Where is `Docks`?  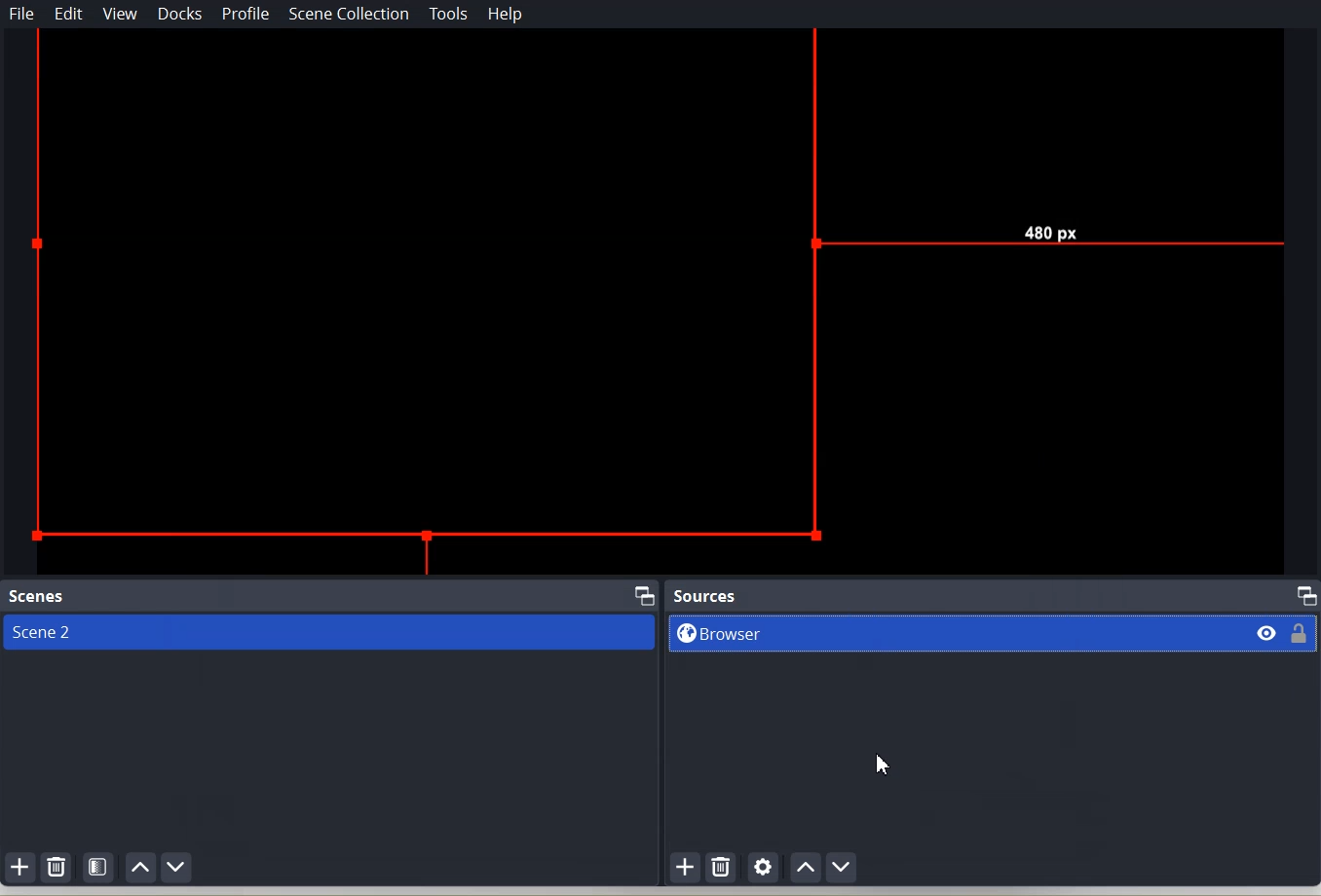 Docks is located at coordinates (182, 15).